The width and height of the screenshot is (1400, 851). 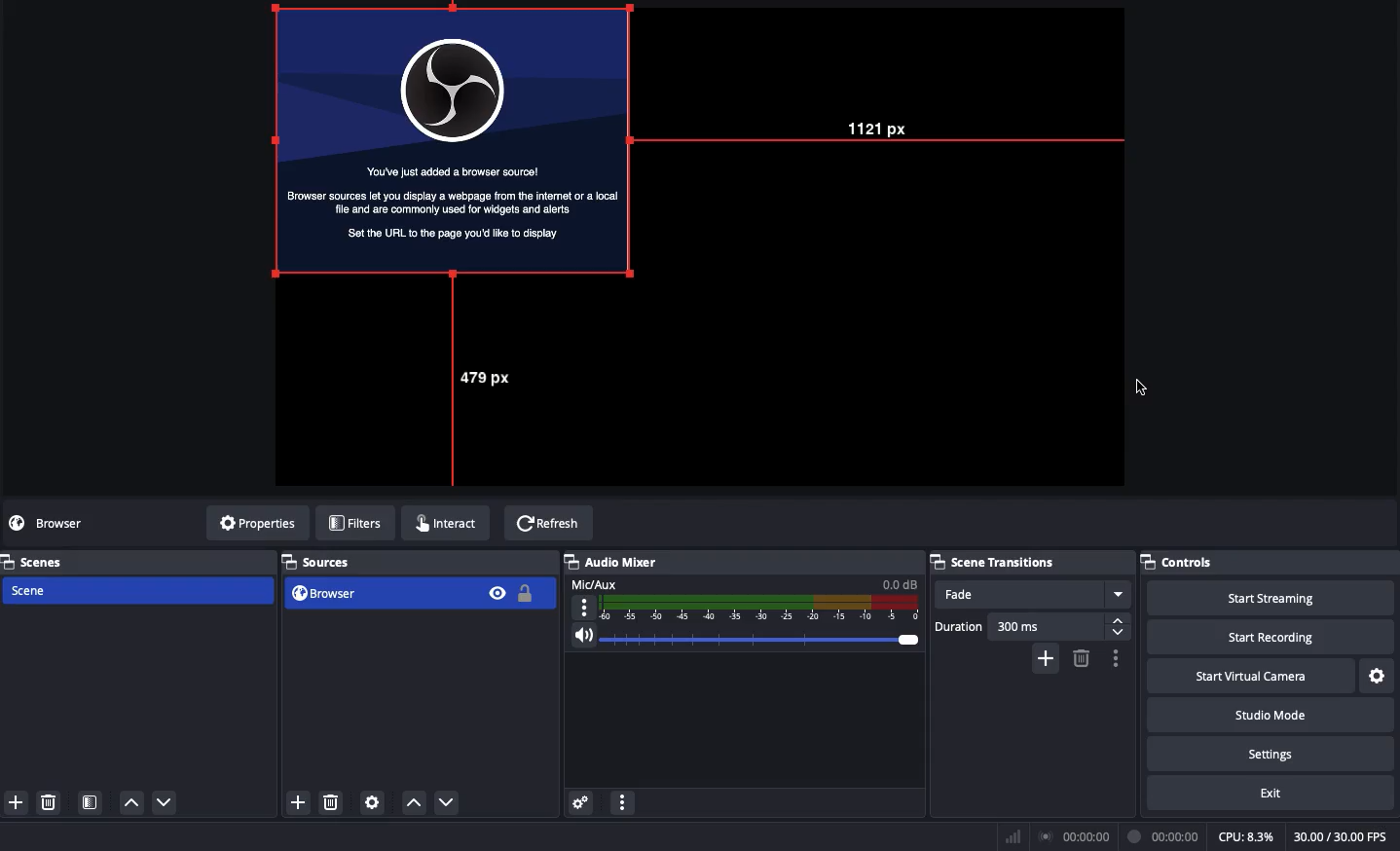 I want to click on Options, so click(x=1117, y=658).